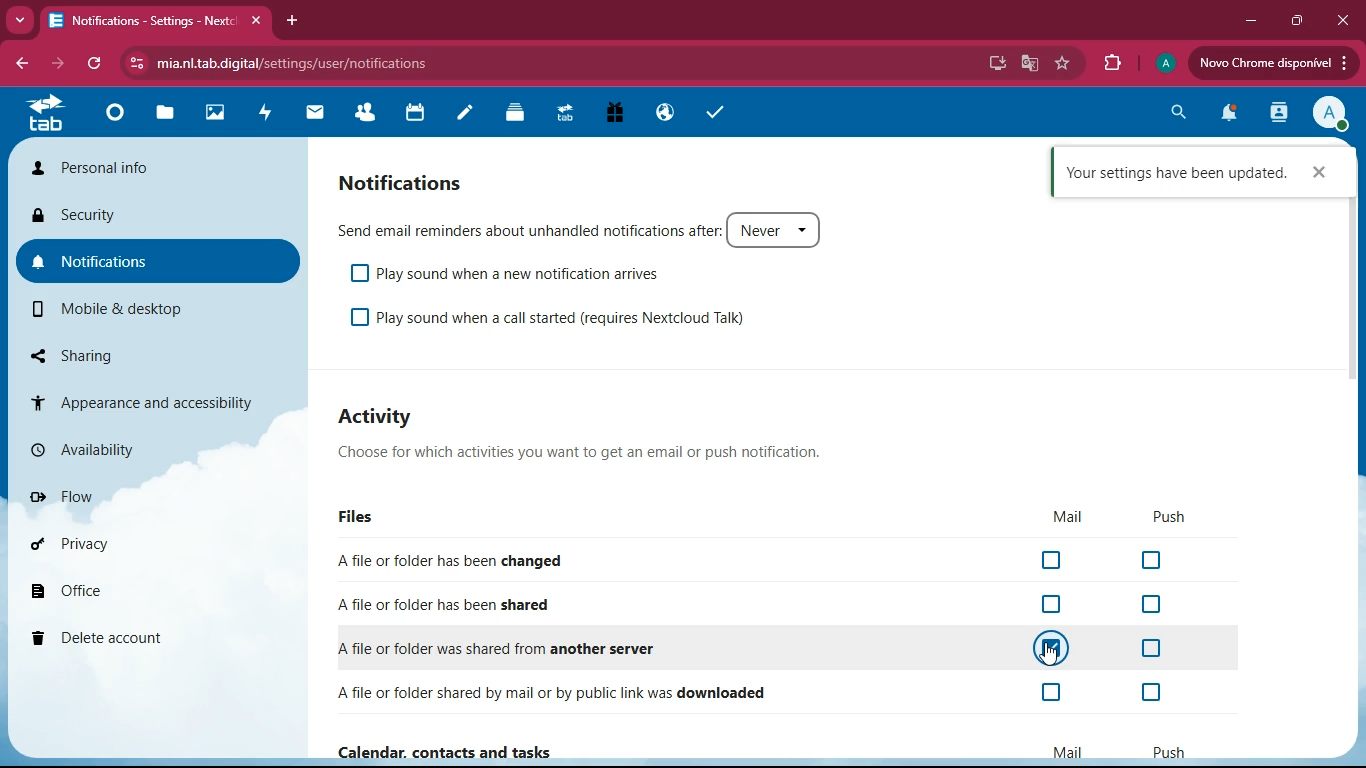 Image resolution: width=1366 pixels, height=768 pixels. I want to click on security, so click(149, 217).